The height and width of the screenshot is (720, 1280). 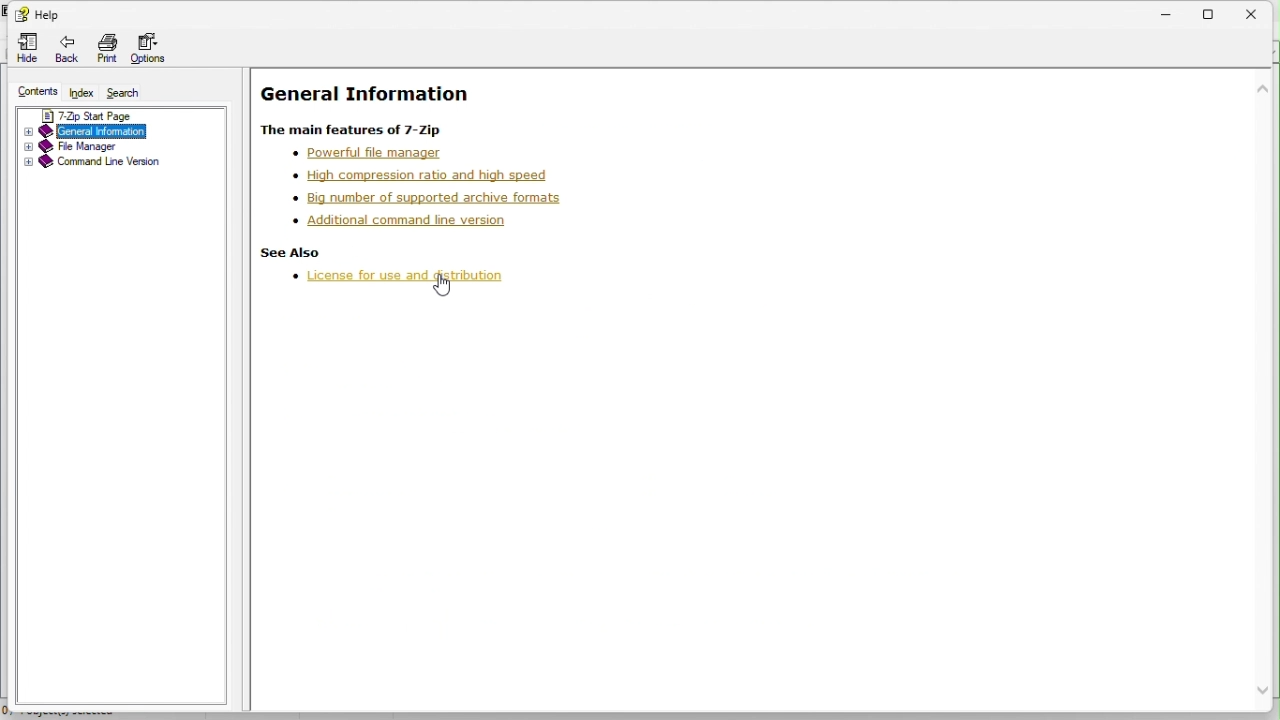 I want to click on help, so click(x=37, y=12).